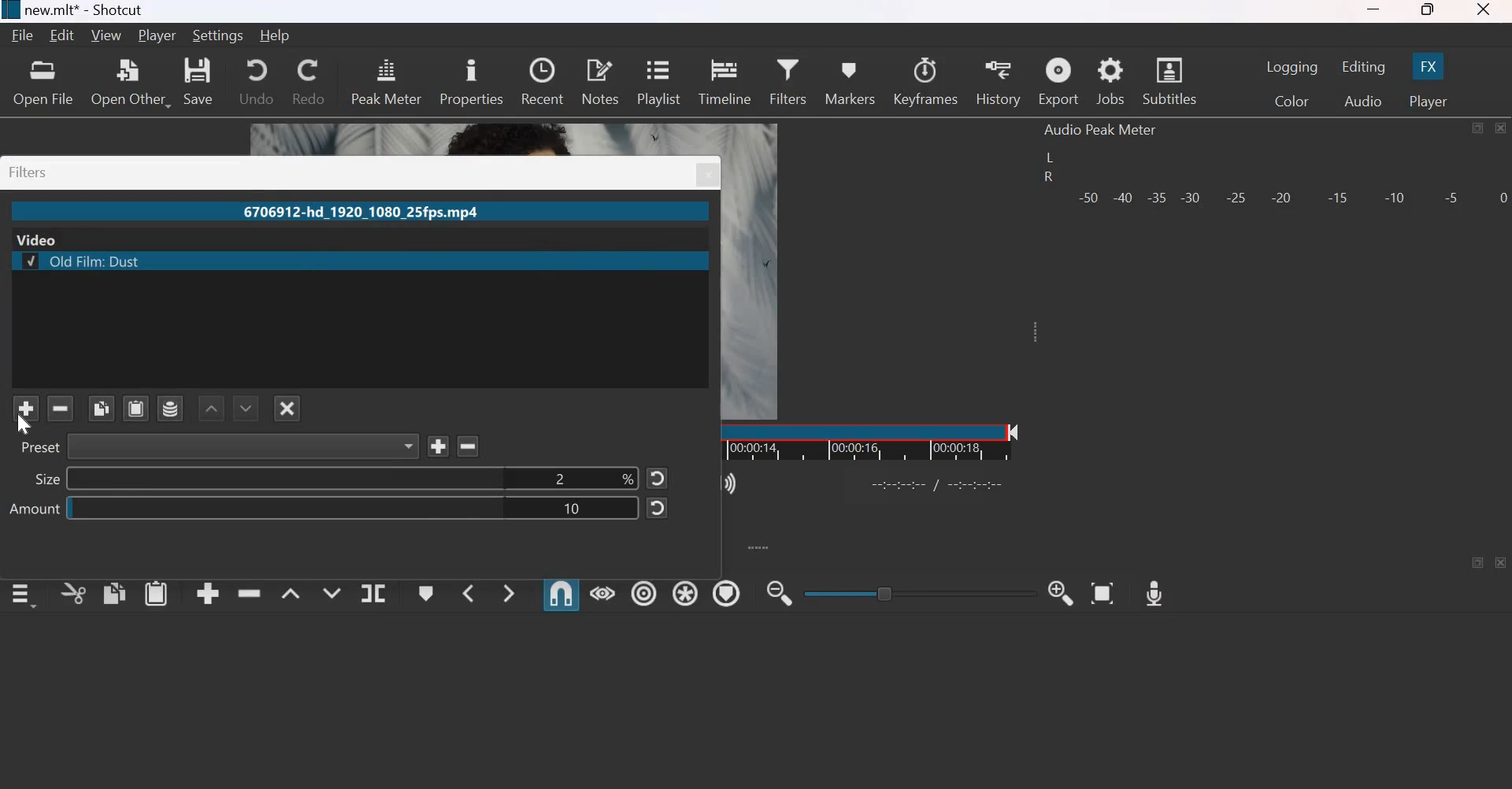  I want to click on 10, so click(573, 509).